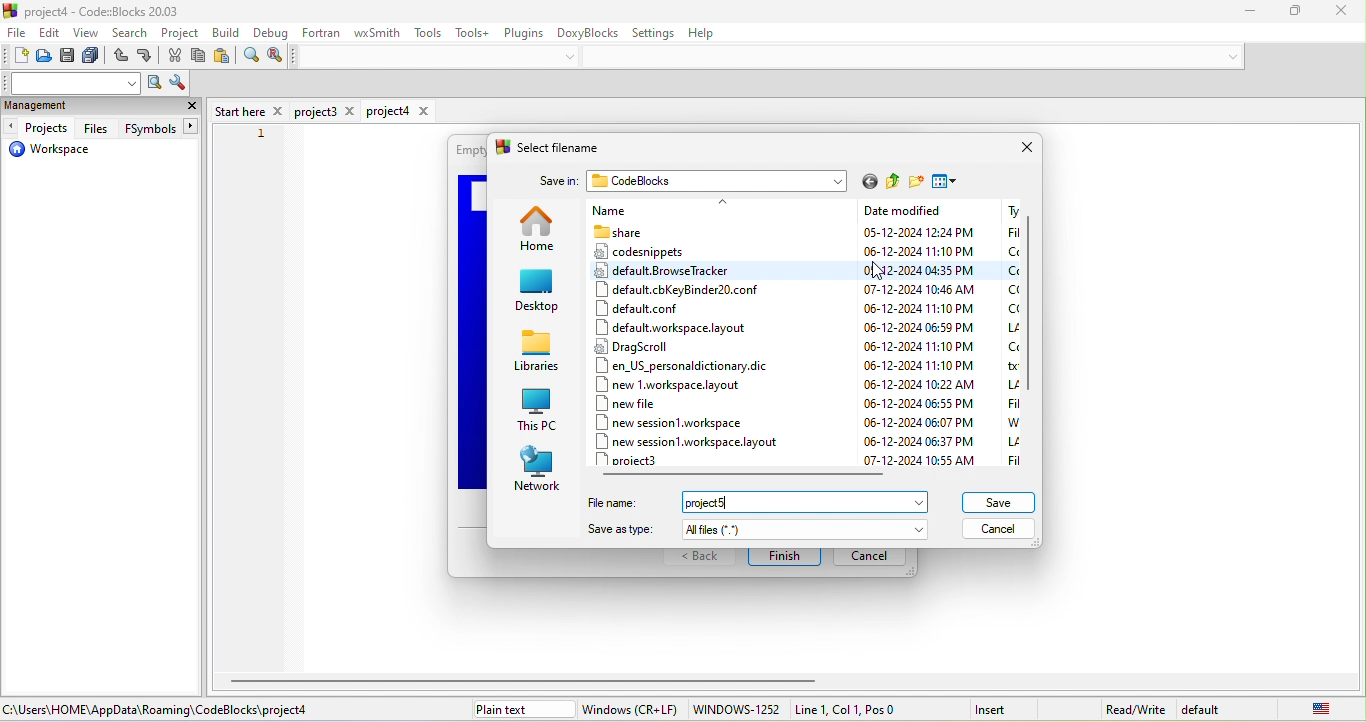  Describe the element at coordinates (176, 57) in the screenshot. I see `cut` at that location.